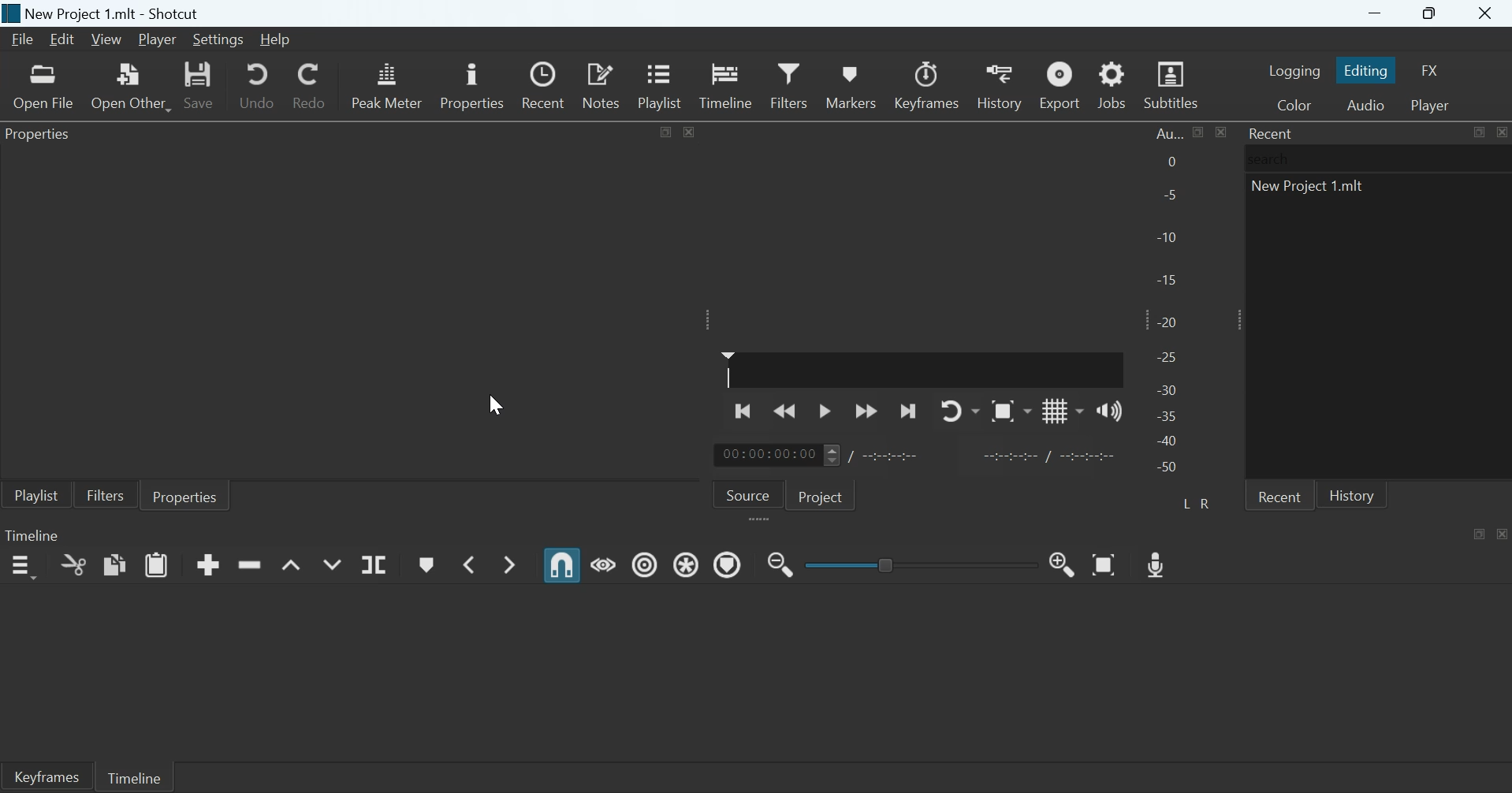 Image resolution: width=1512 pixels, height=793 pixels. Describe the element at coordinates (728, 369) in the screenshot. I see `Playhead` at that location.